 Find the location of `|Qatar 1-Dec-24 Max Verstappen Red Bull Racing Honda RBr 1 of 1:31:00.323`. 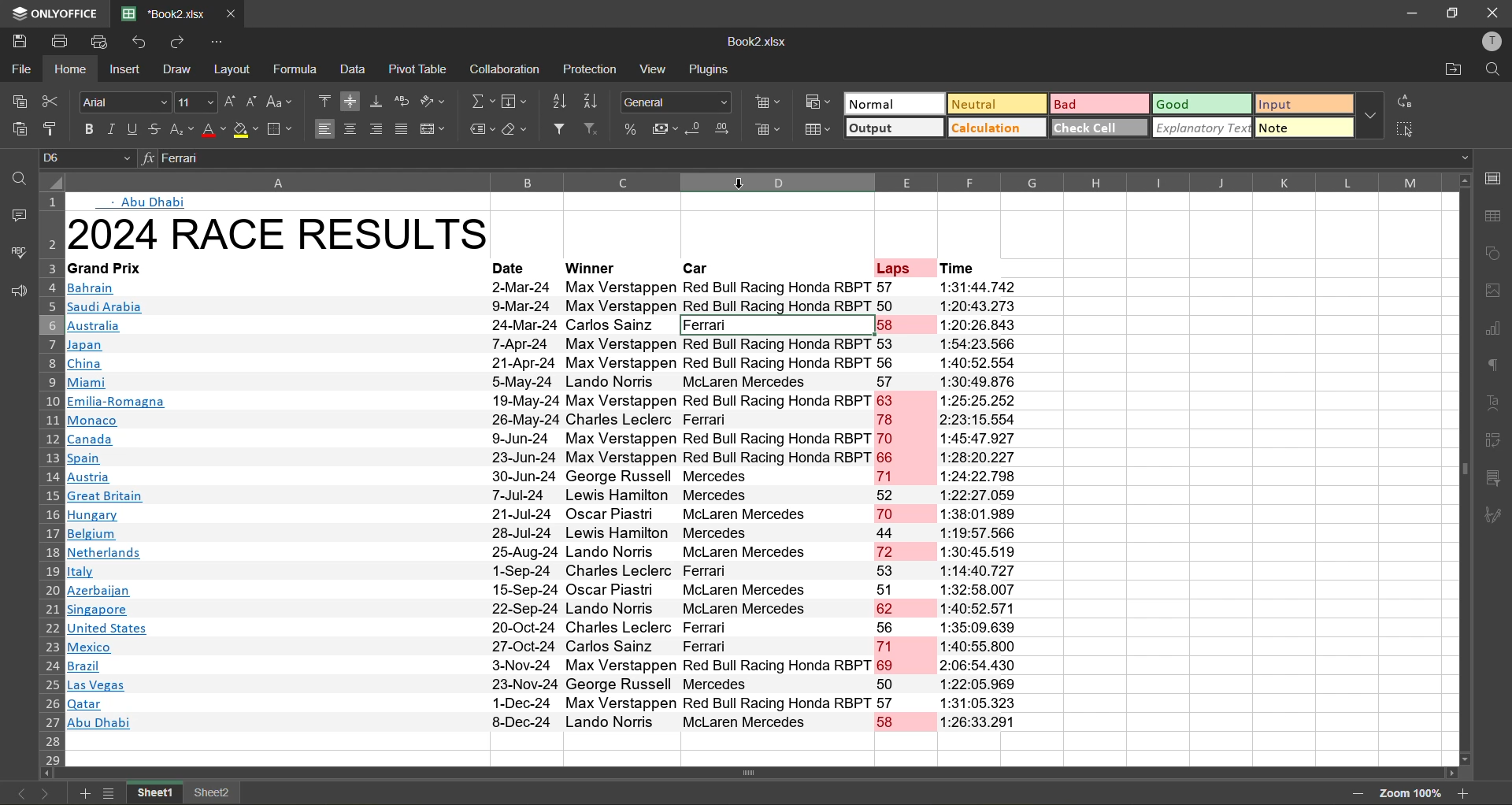

|Qatar 1-Dec-24 Max Verstappen Red Bull Racing Honda RBr 1 of 1:31:00.323 is located at coordinates (548, 704).